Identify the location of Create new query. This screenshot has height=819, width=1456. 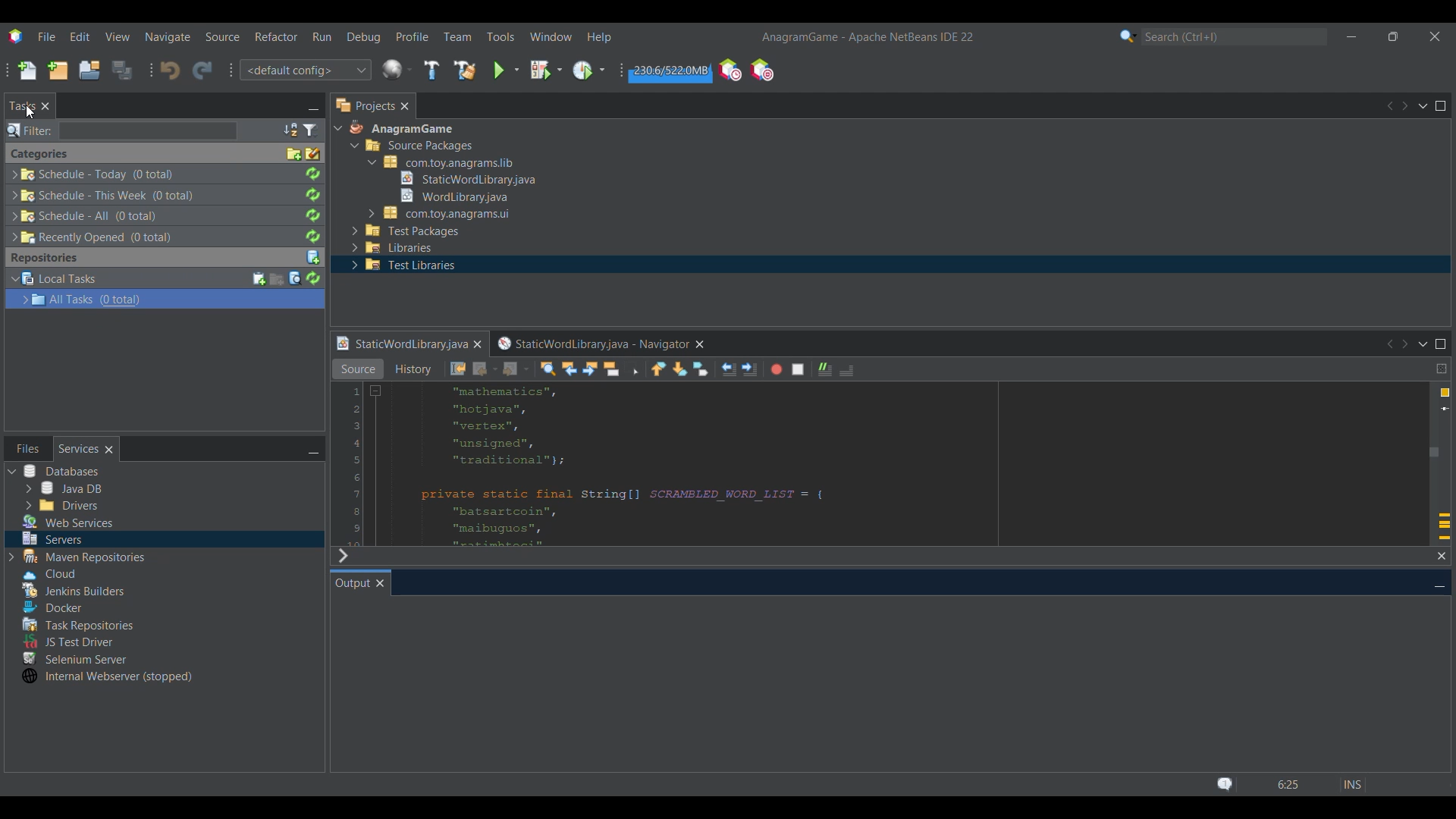
(277, 279).